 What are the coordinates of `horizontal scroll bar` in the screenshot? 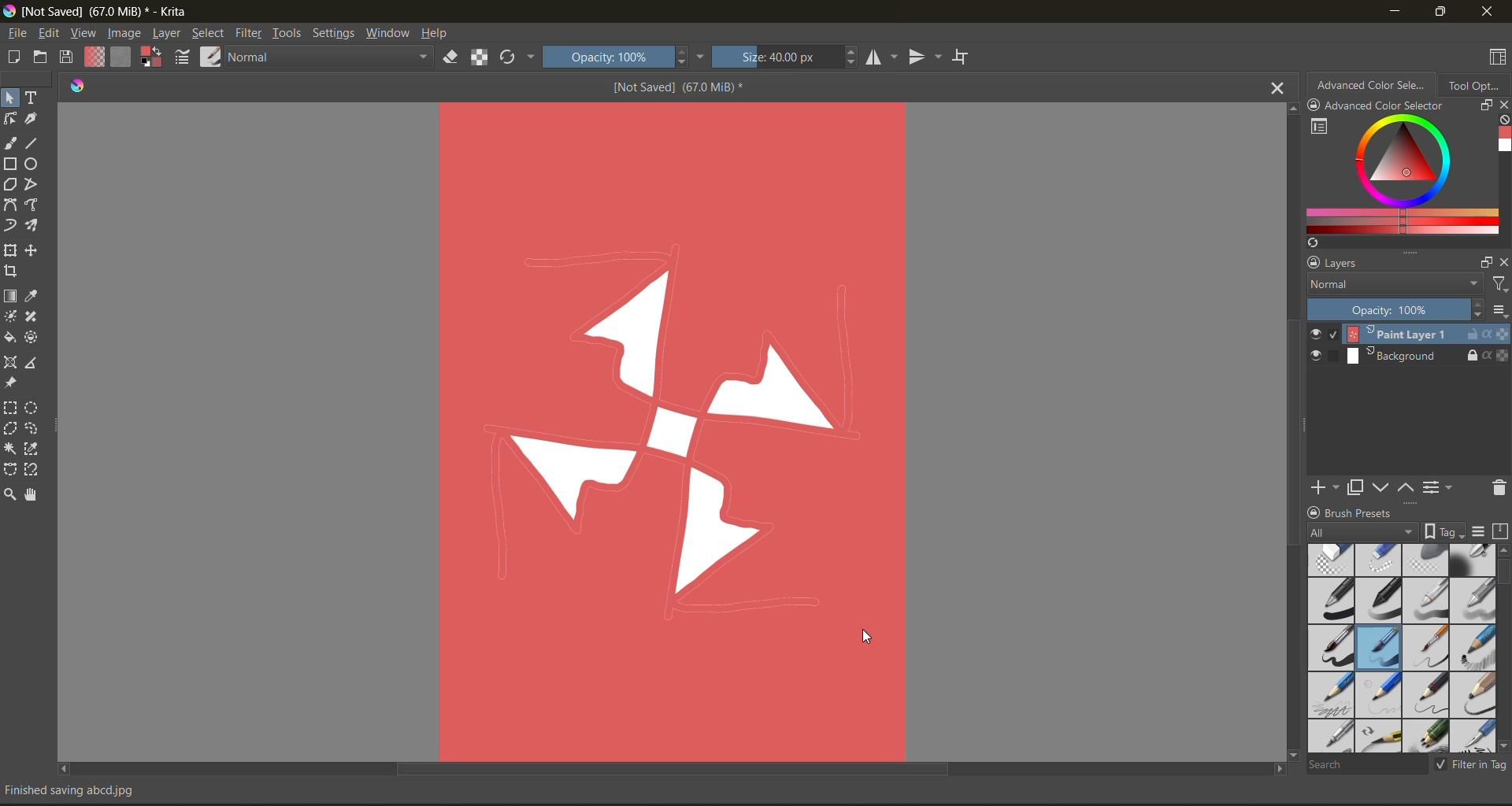 It's located at (1503, 574).